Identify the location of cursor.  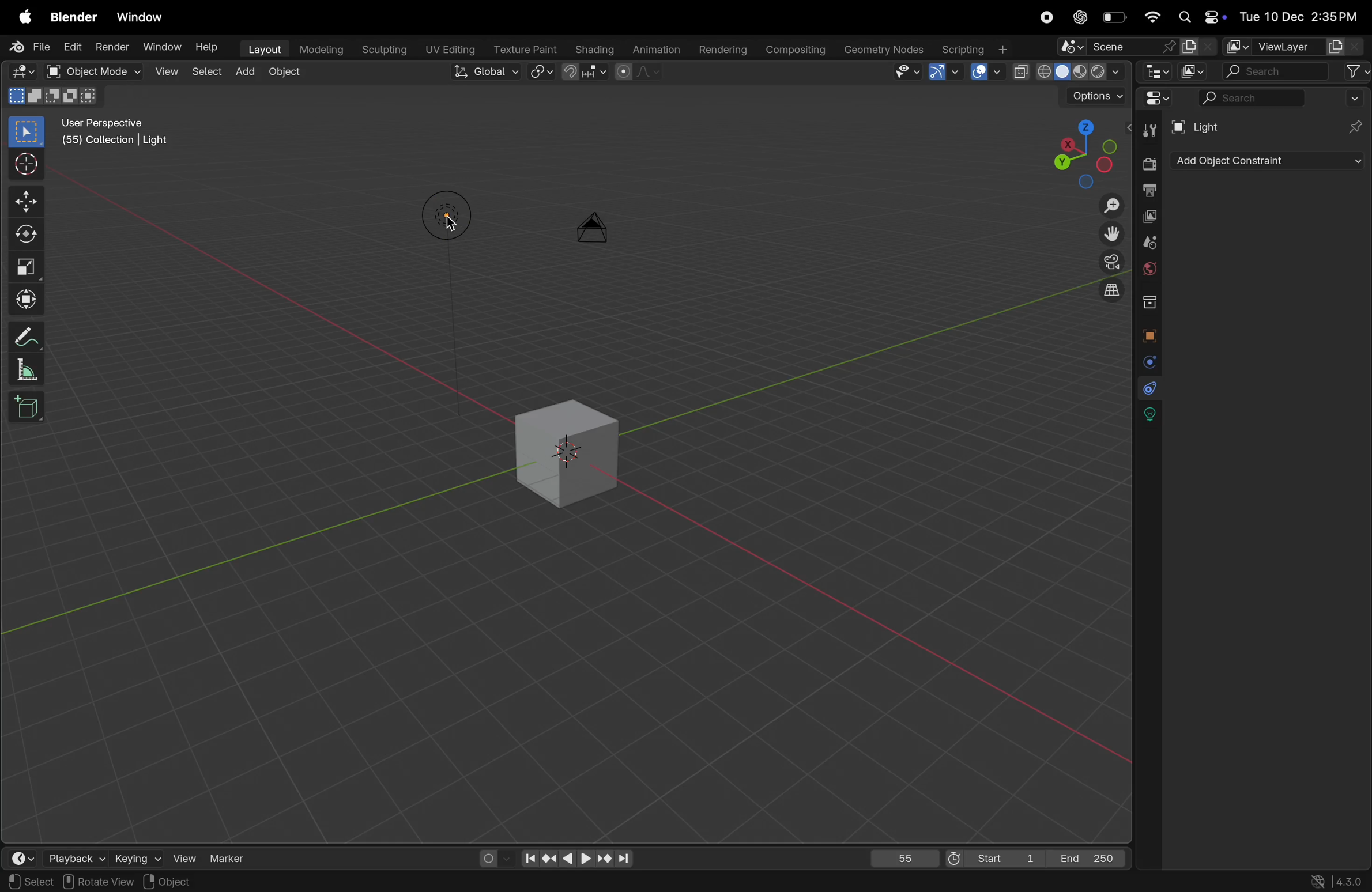
(27, 164).